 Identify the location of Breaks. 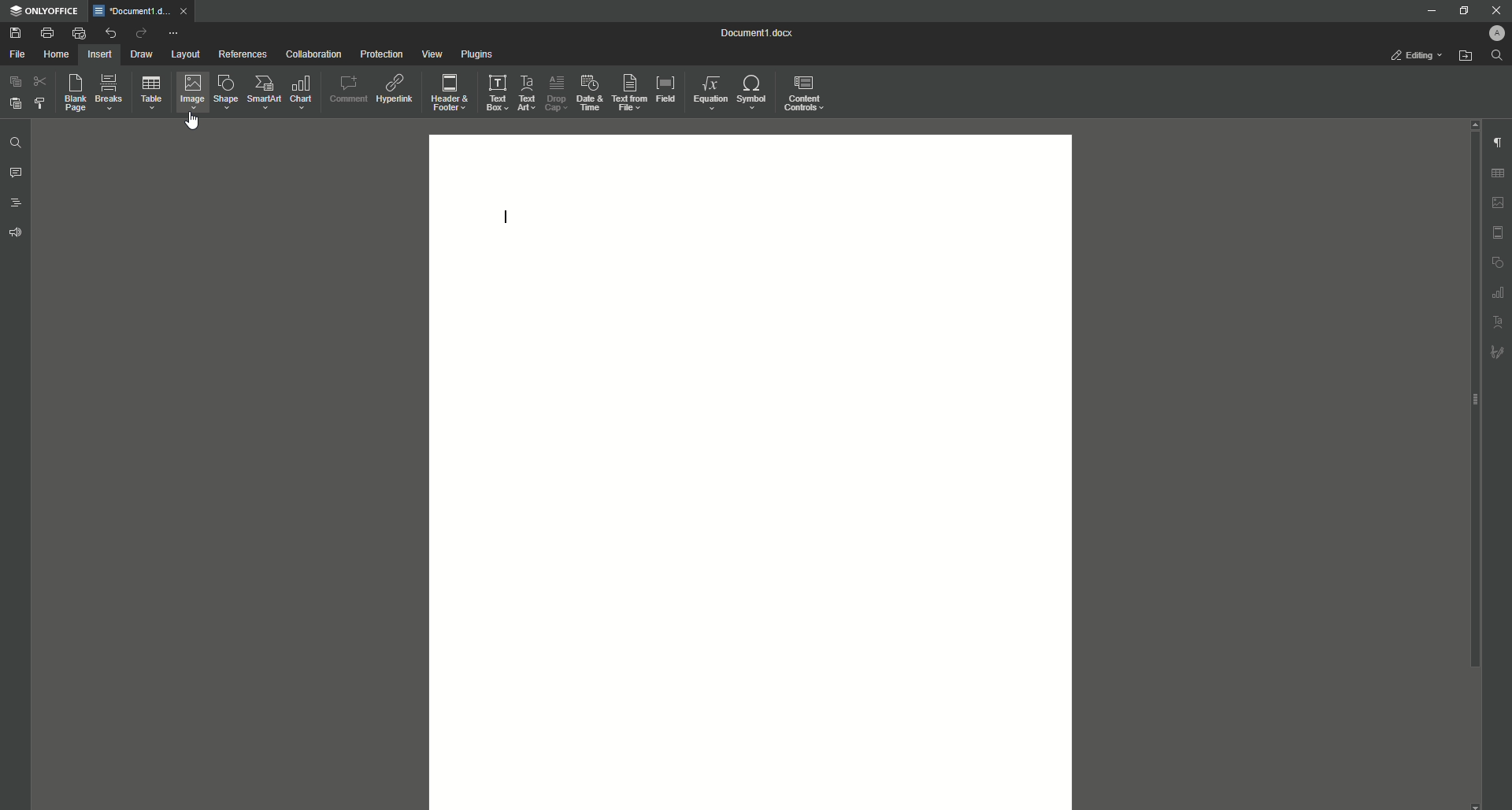
(109, 91).